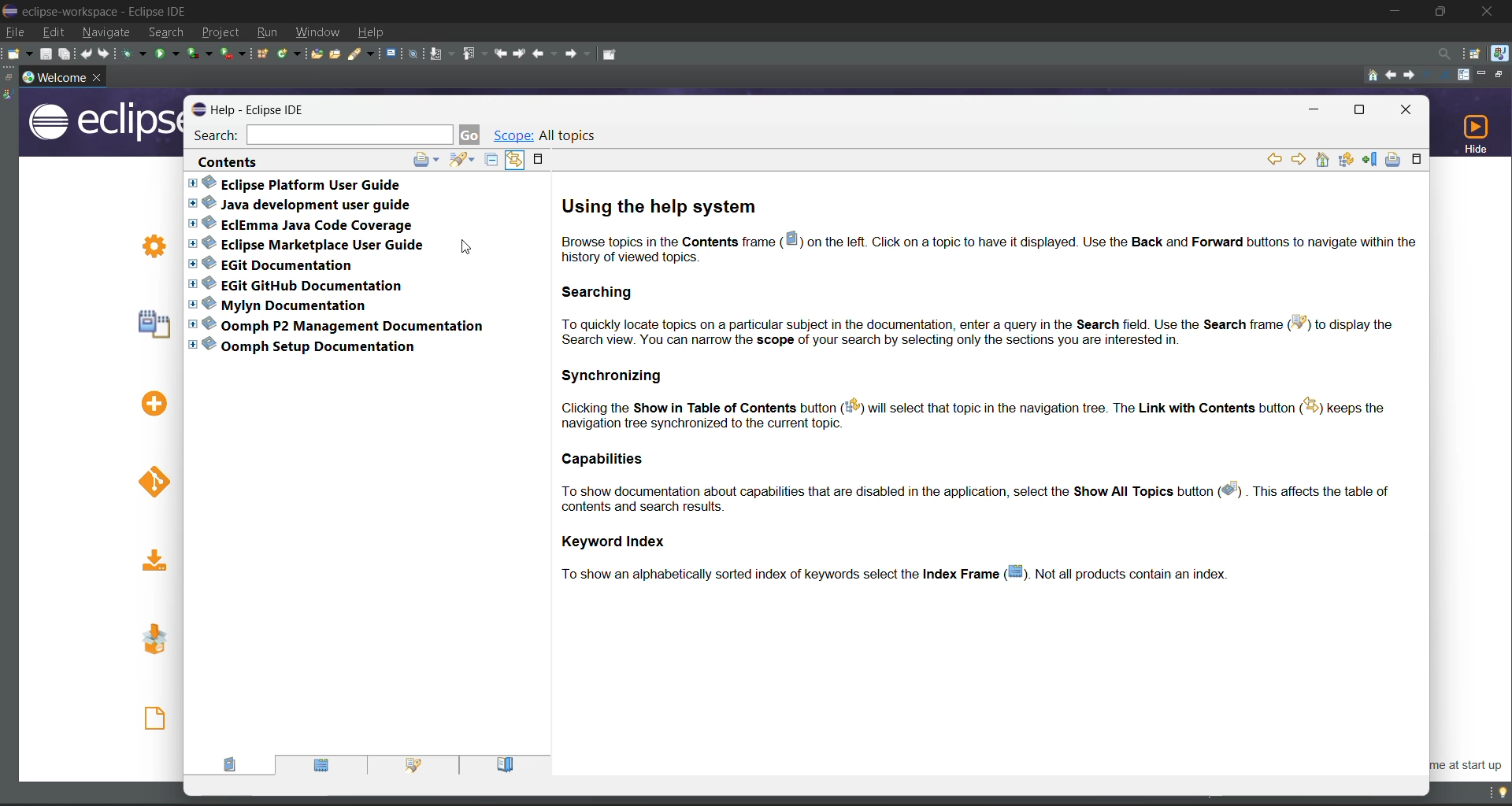 The height and width of the screenshot is (806, 1512). Describe the element at coordinates (135, 54) in the screenshot. I see `debug` at that location.